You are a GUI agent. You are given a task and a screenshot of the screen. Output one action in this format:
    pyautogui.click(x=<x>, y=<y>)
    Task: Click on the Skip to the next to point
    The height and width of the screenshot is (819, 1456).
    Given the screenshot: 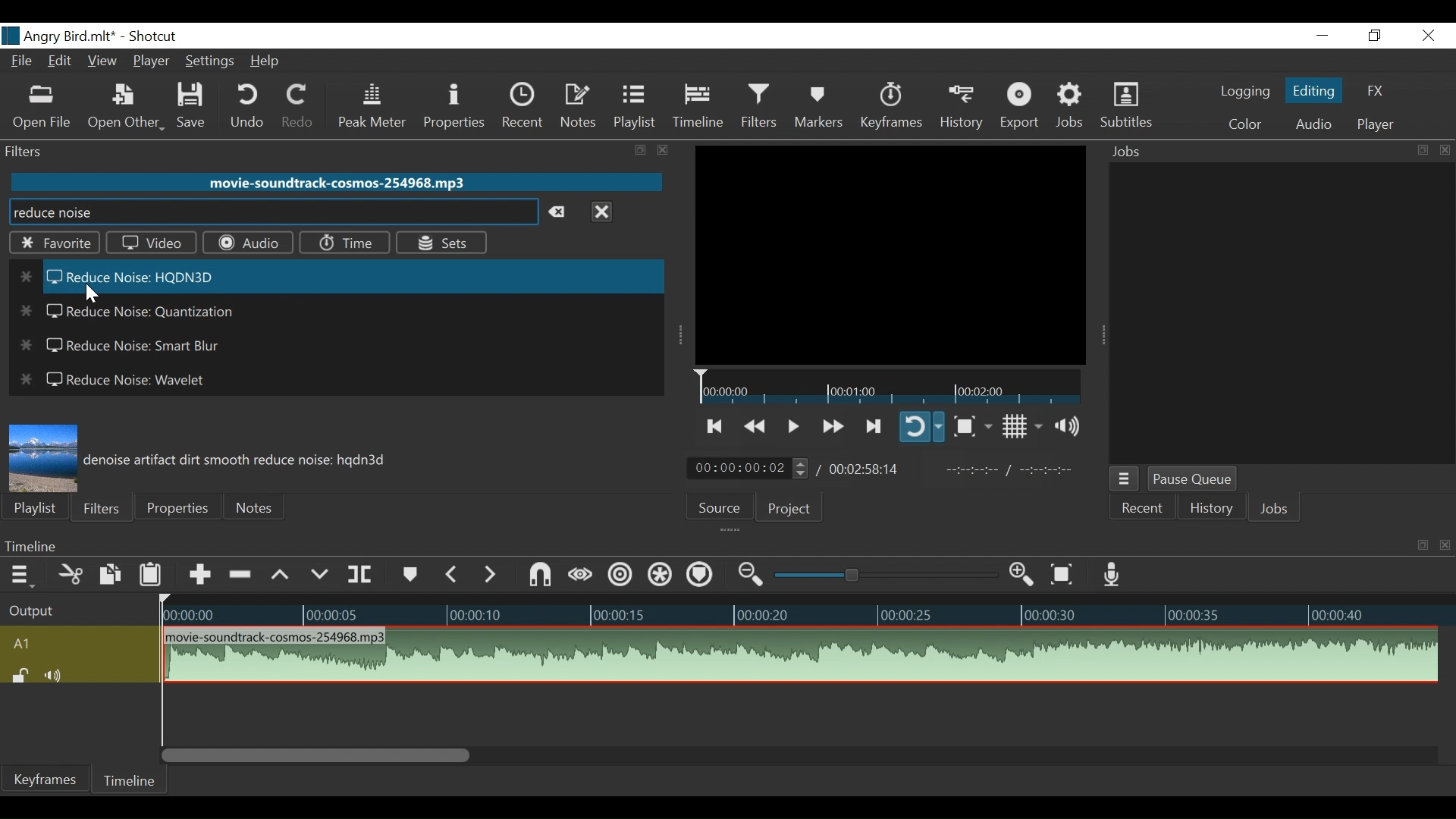 What is the action you would take?
    pyautogui.click(x=716, y=424)
    